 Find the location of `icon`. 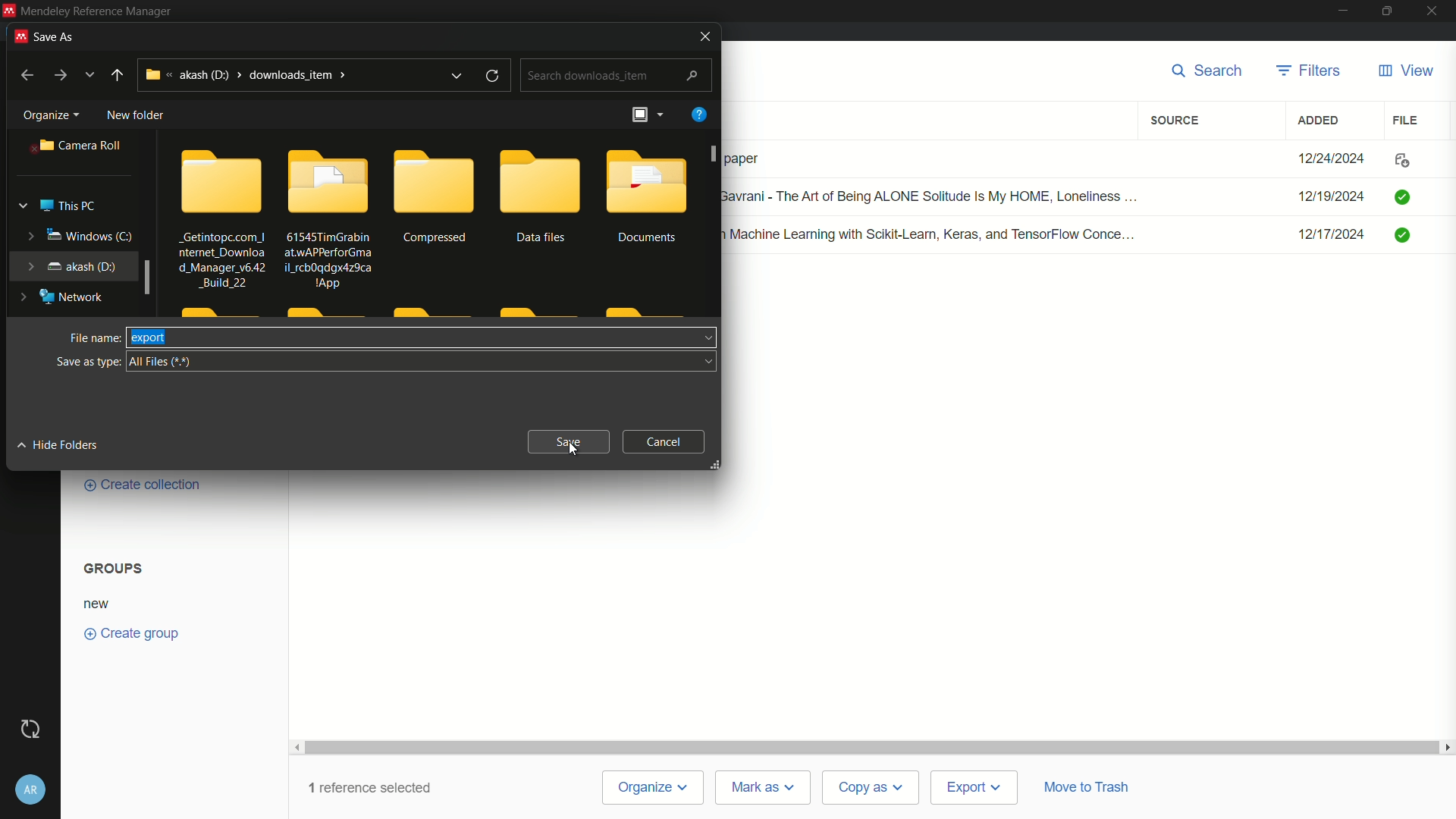

icon is located at coordinates (1399, 237).